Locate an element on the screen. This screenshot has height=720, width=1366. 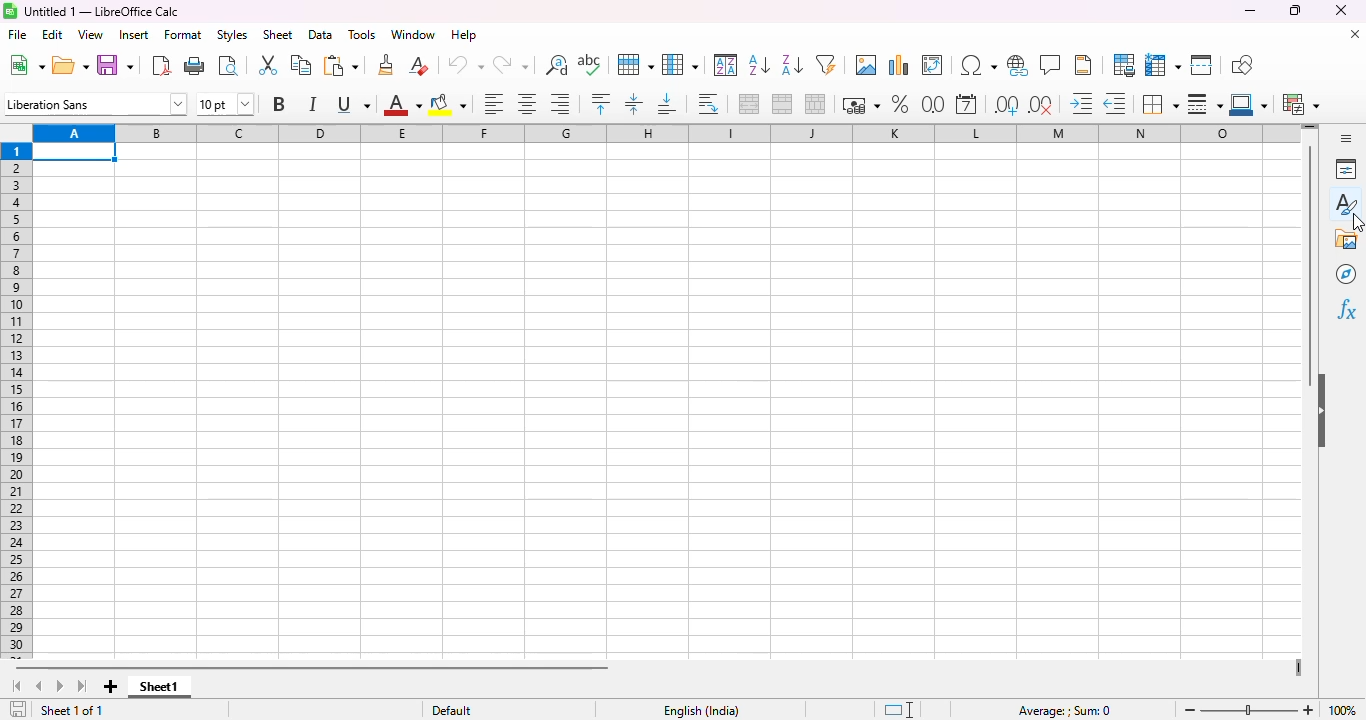
align left is located at coordinates (494, 103).